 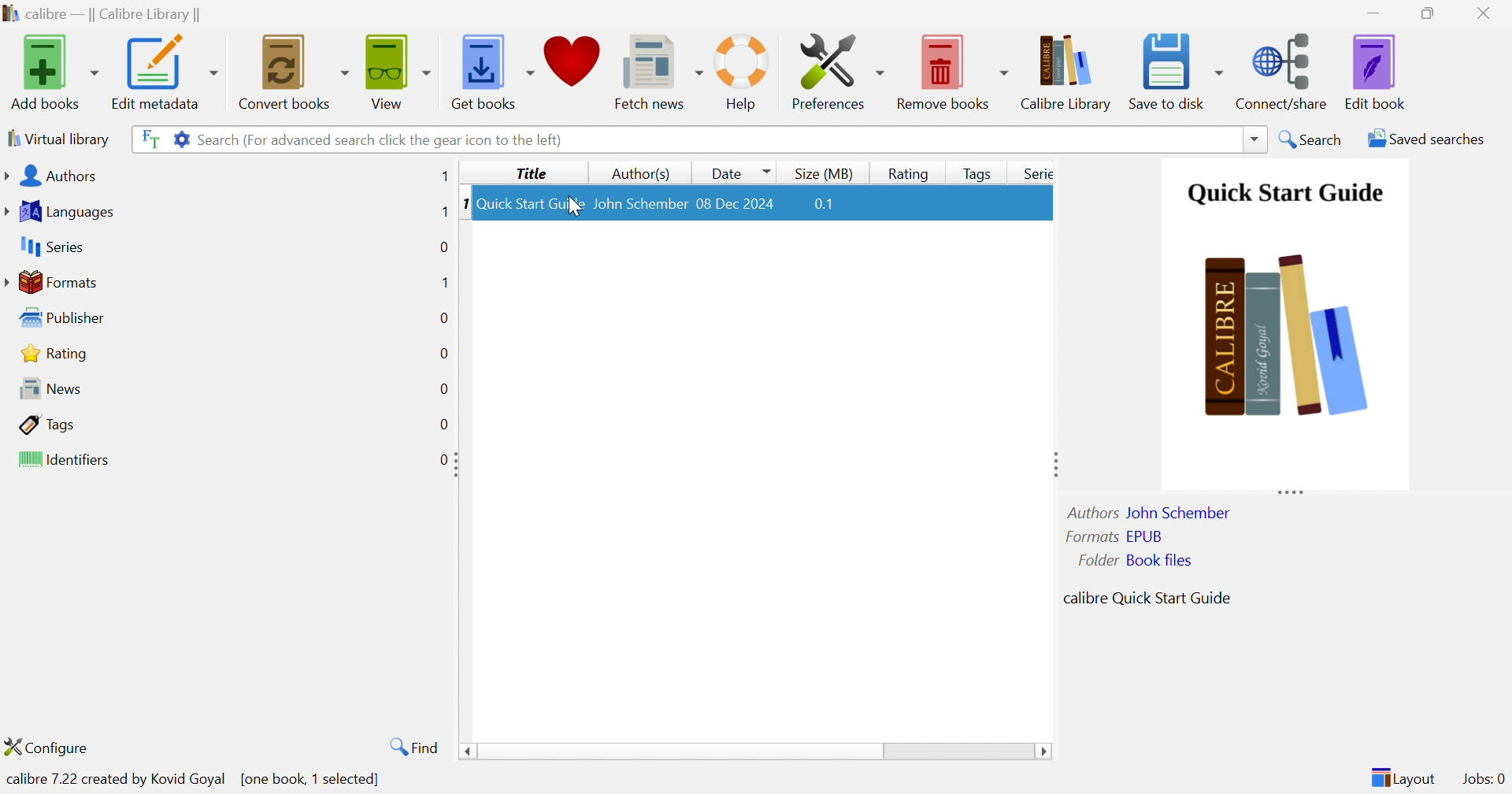 What do you see at coordinates (823, 173) in the screenshot?
I see `Size (MB)` at bounding box center [823, 173].